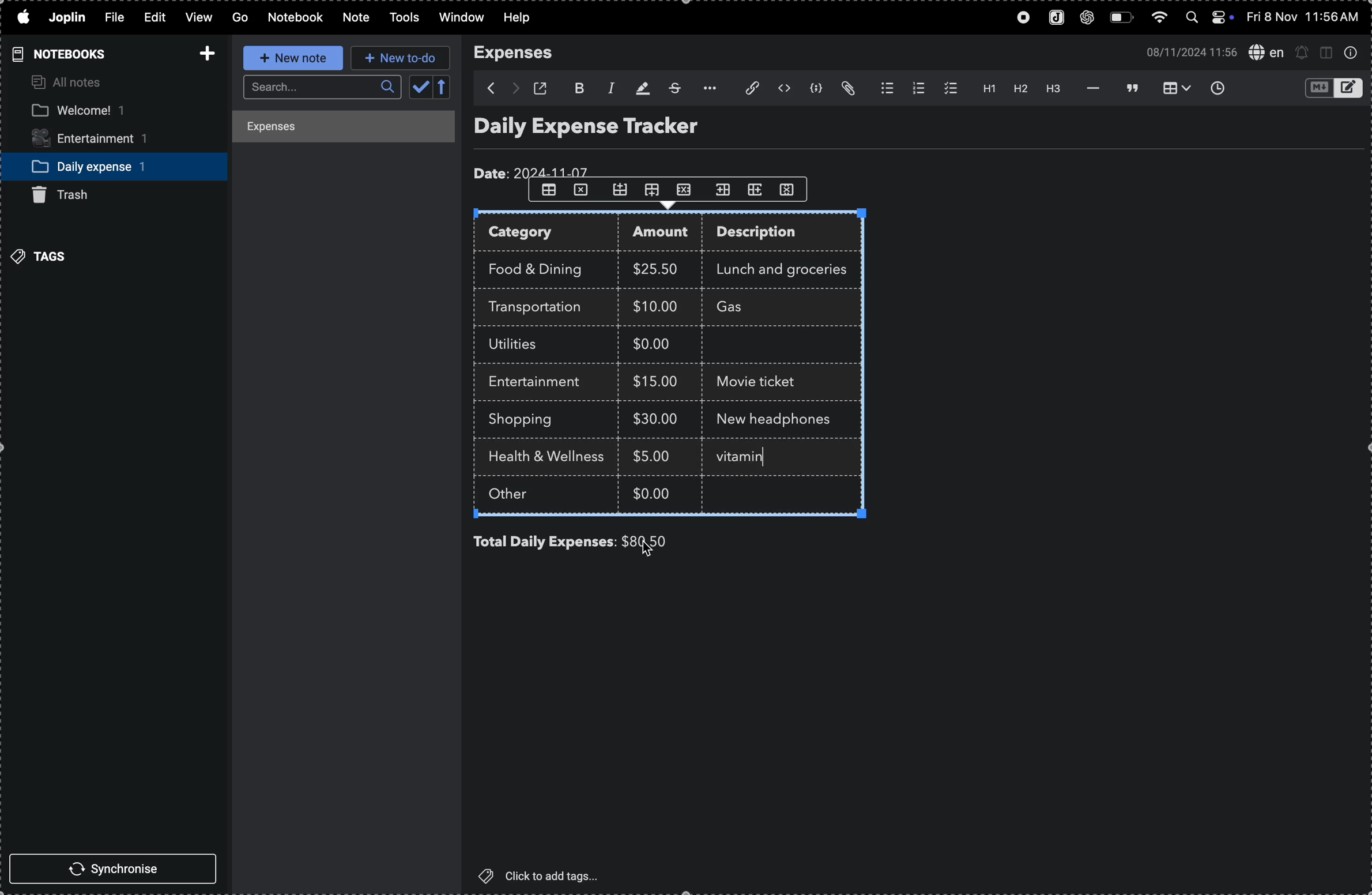 The width and height of the screenshot is (1372, 895). What do you see at coordinates (850, 89) in the screenshot?
I see `attach file` at bounding box center [850, 89].